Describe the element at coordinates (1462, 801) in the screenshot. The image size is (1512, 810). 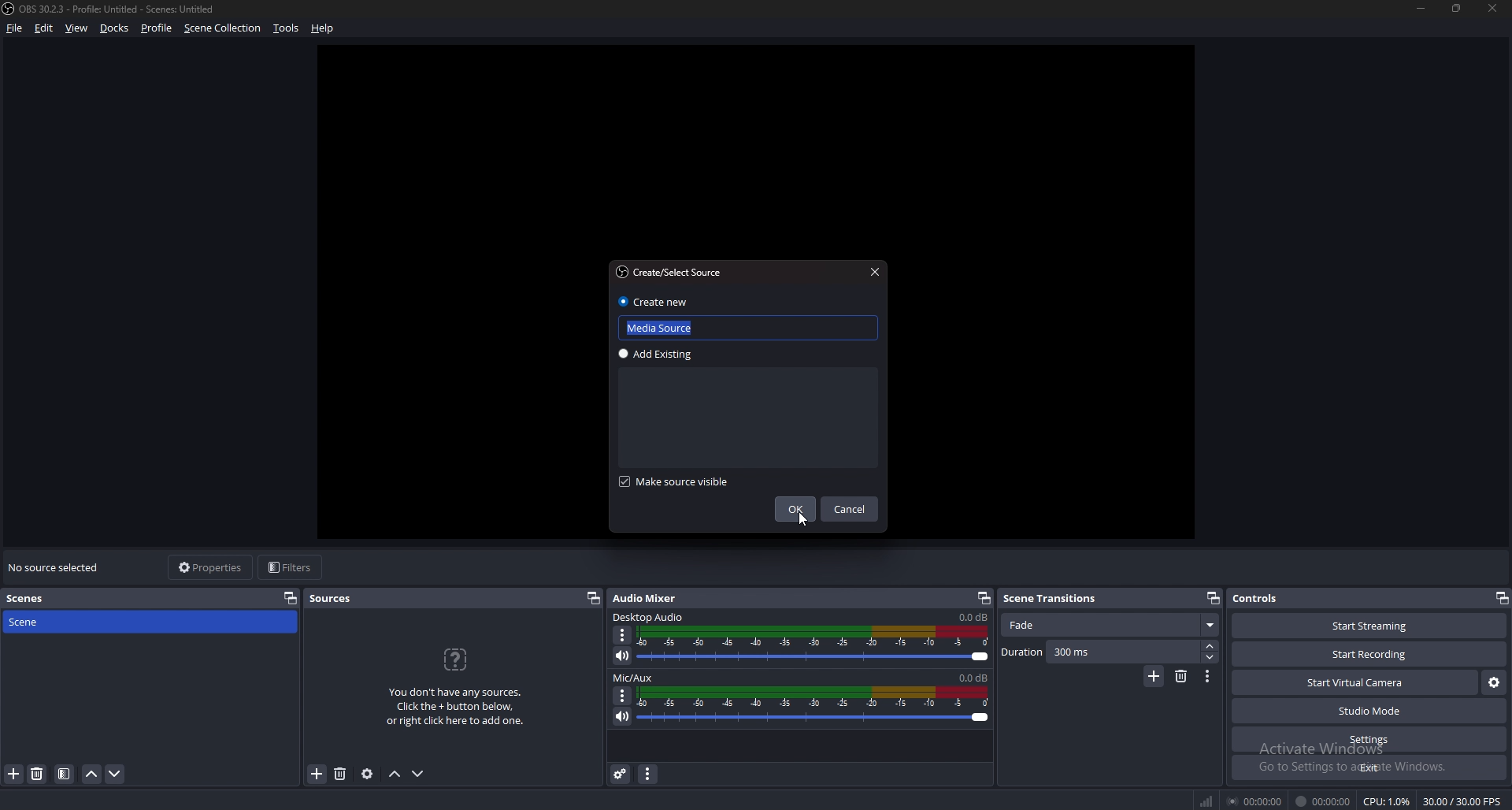
I see `30.00 / 30.00 FPS` at that location.